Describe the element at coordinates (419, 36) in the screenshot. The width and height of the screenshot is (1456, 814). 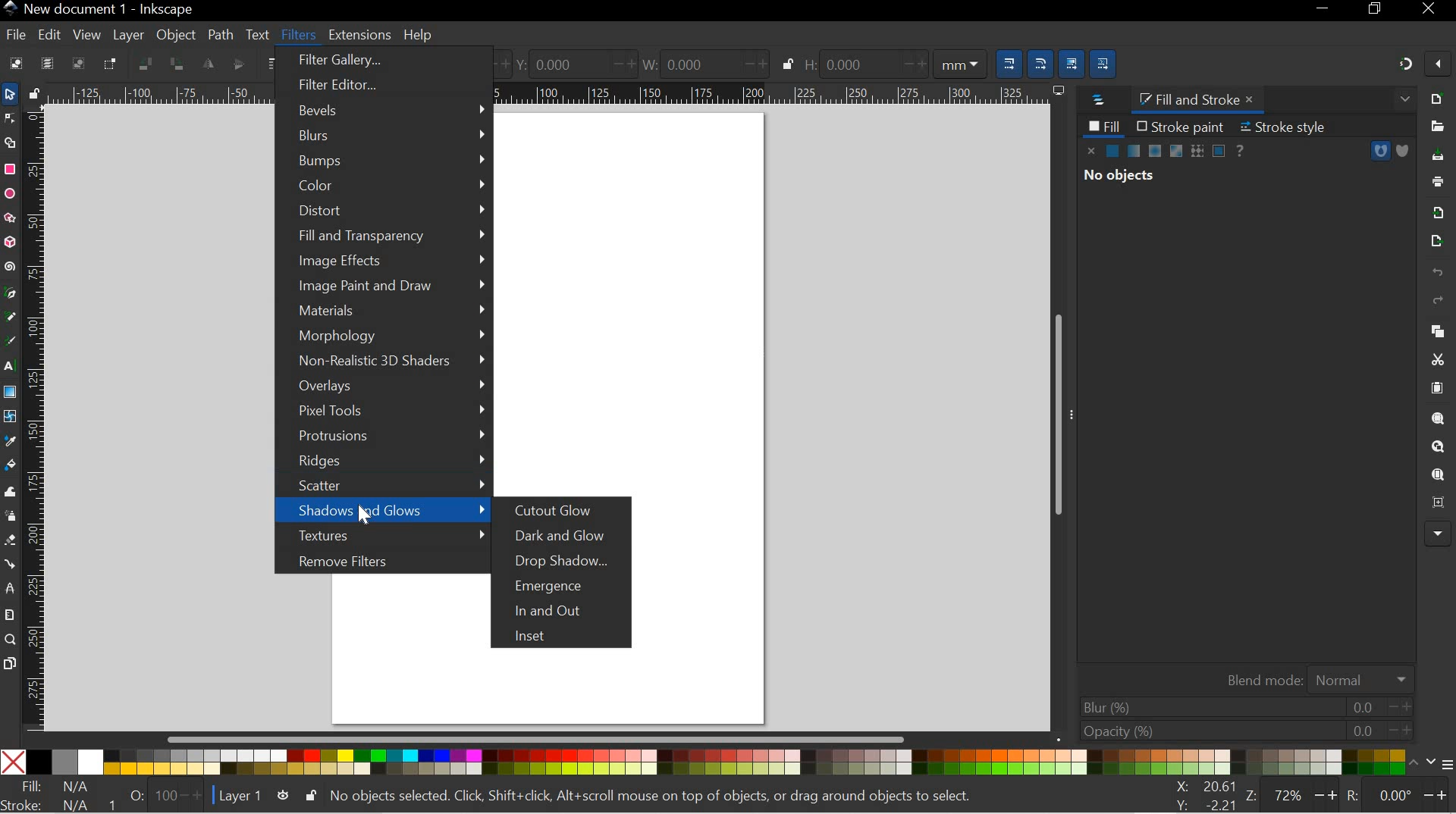
I see `HELP` at that location.